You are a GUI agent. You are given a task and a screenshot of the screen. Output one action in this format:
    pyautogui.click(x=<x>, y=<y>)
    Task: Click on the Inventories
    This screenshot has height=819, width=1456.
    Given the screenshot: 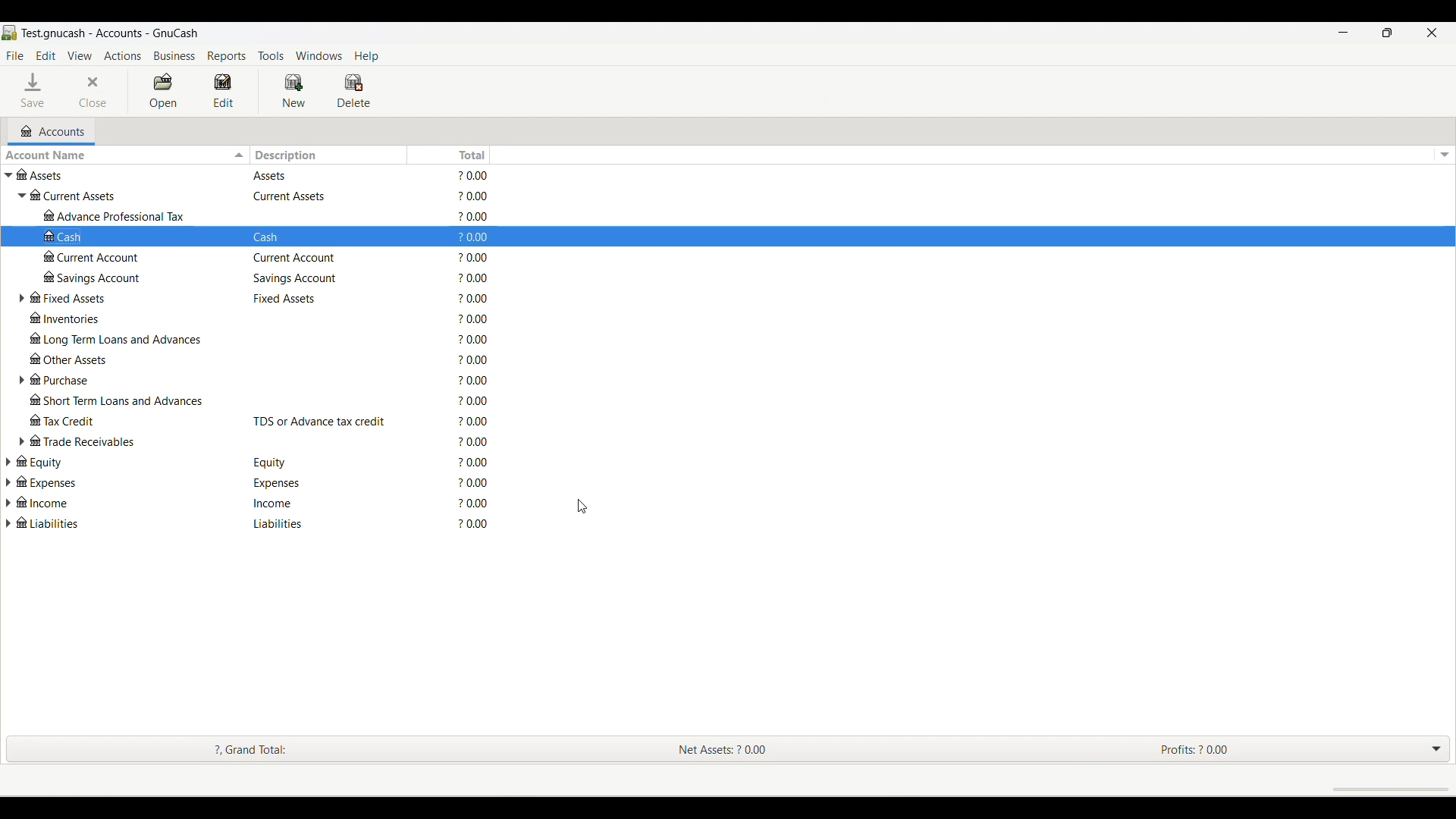 What is the action you would take?
    pyautogui.click(x=128, y=318)
    